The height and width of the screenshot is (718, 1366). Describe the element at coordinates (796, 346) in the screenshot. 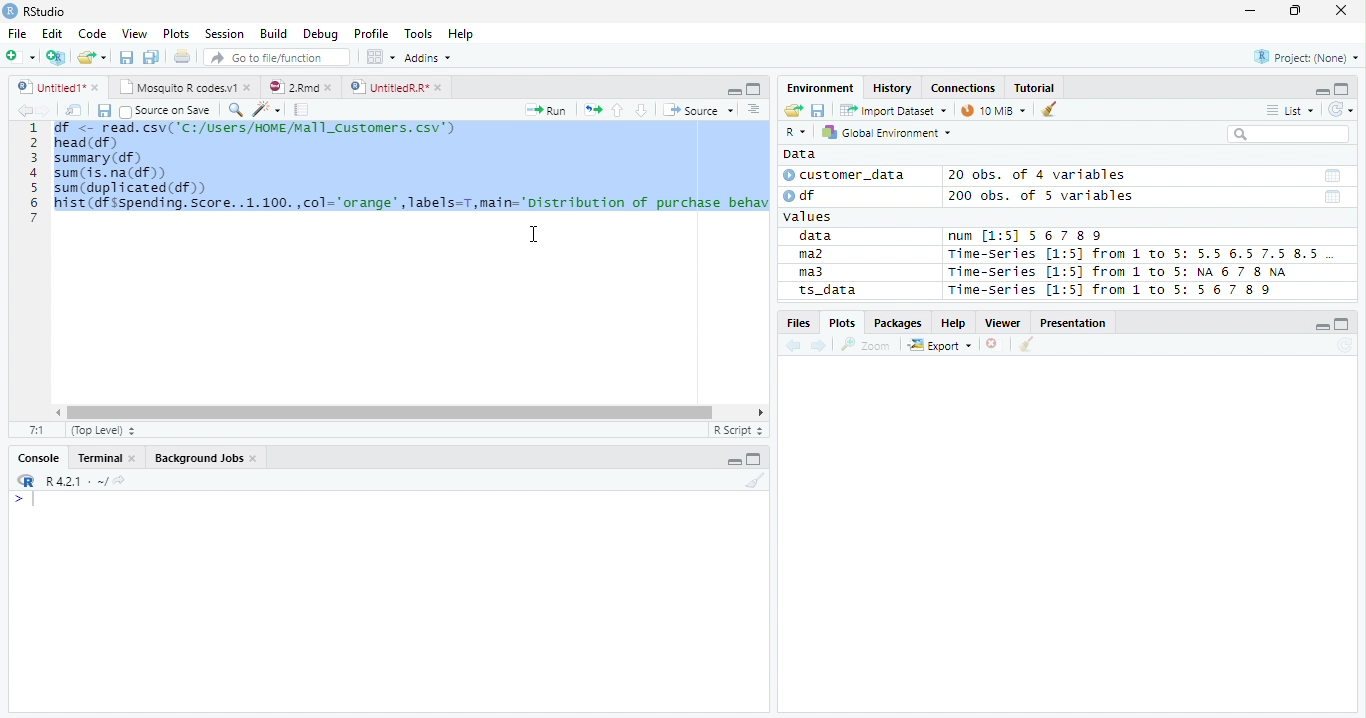

I see `Previous` at that location.